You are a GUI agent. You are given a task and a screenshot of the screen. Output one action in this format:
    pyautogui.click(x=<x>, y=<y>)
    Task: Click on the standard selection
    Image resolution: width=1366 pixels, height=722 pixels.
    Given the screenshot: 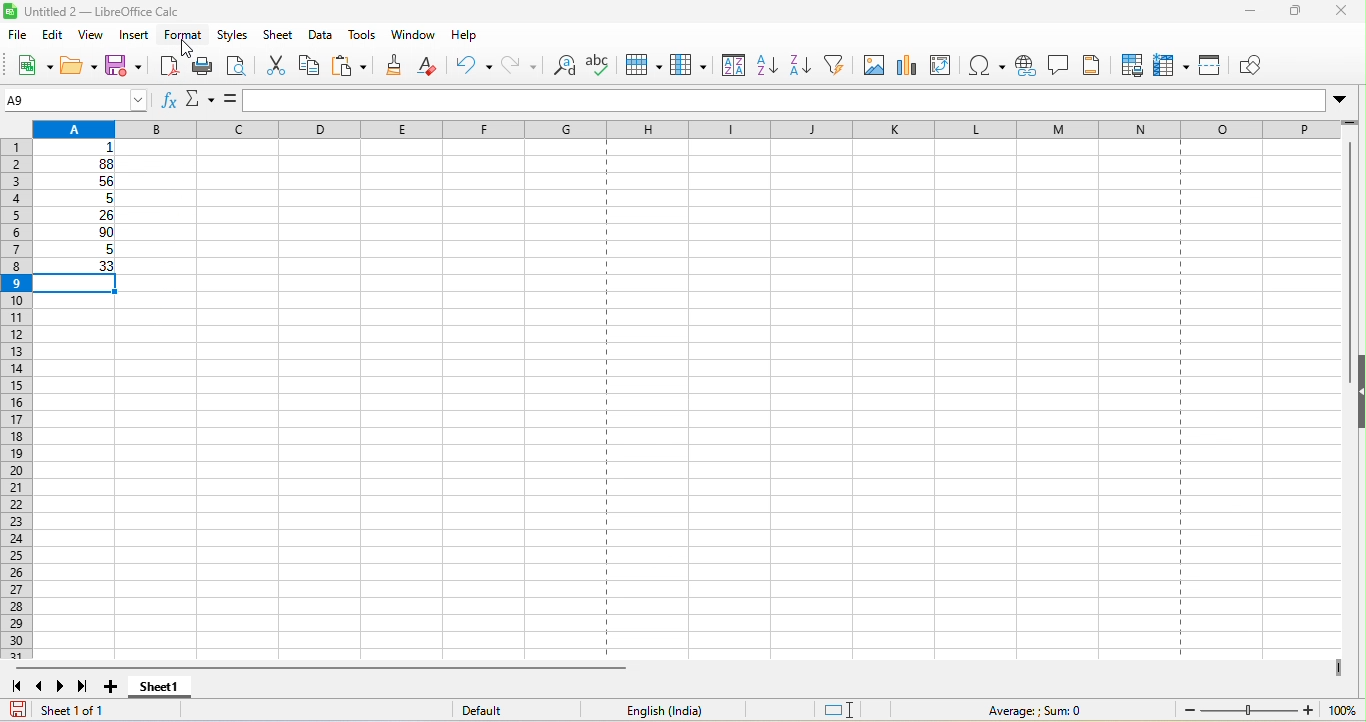 What is the action you would take?
    pyautogui.click(x=853, y=710)
    